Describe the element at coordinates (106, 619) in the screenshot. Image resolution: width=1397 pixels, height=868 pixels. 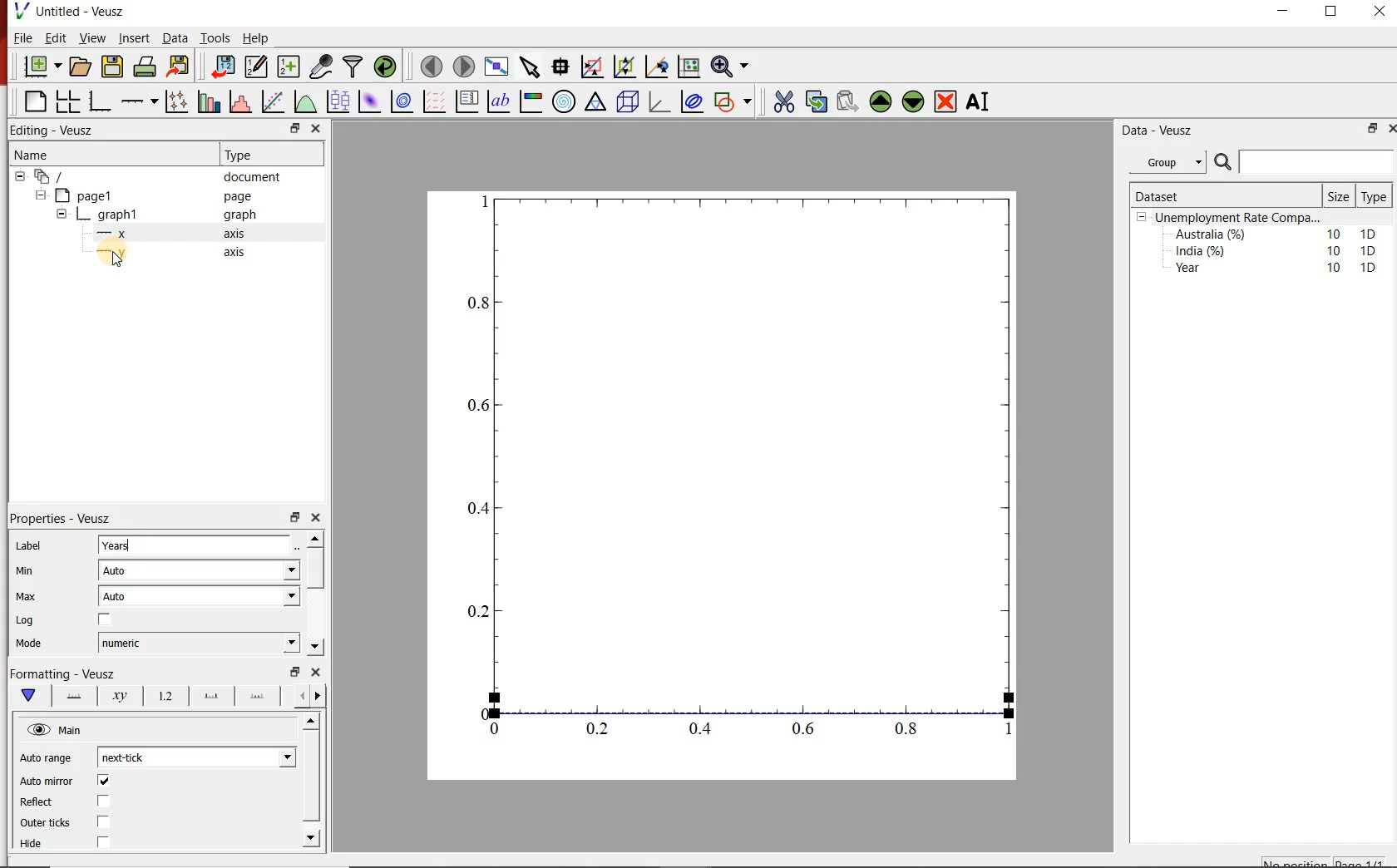
I see `checkbox` at that location.